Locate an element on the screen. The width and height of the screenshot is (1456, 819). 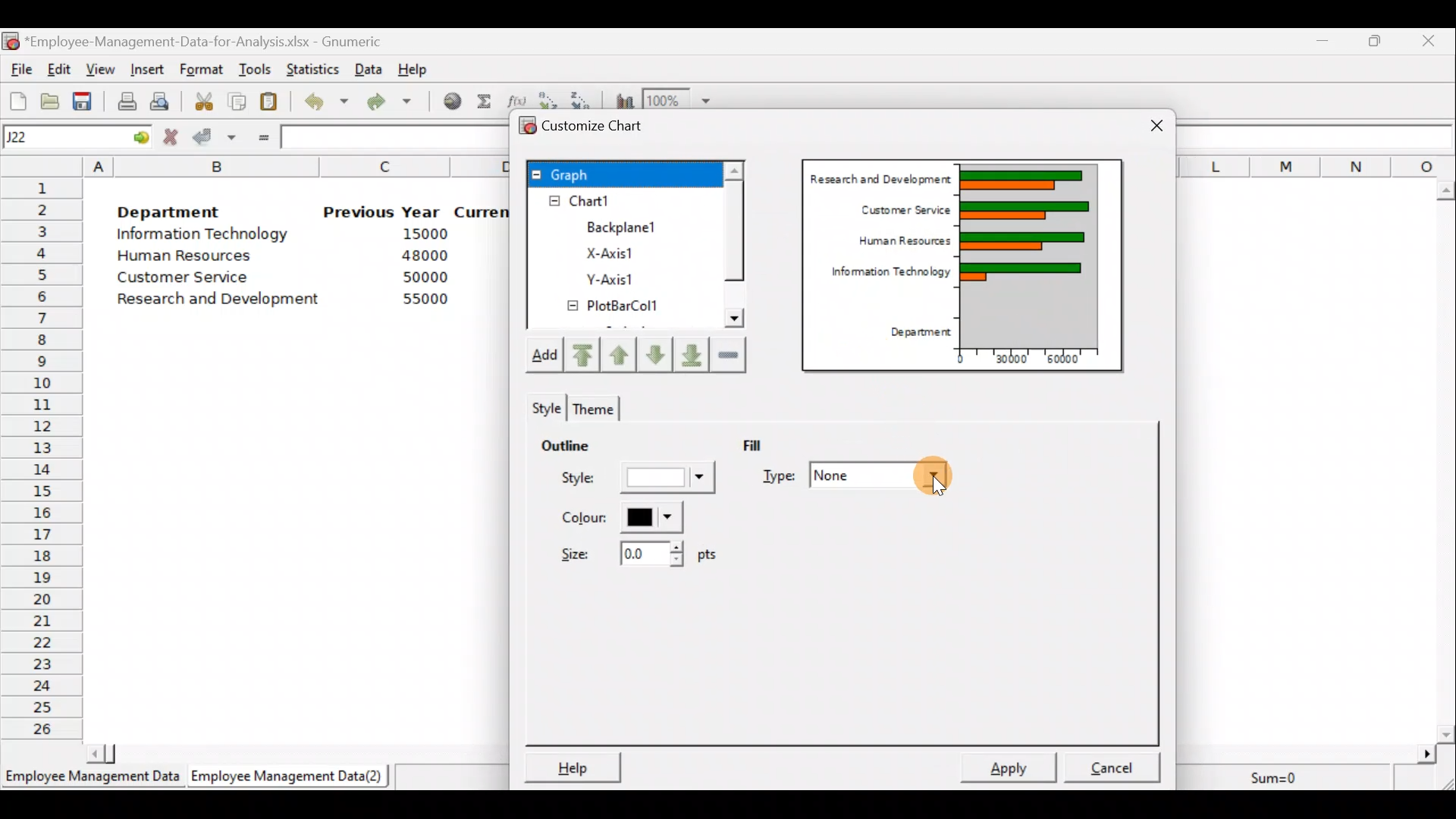
Department is located at coordinates (180, 212).